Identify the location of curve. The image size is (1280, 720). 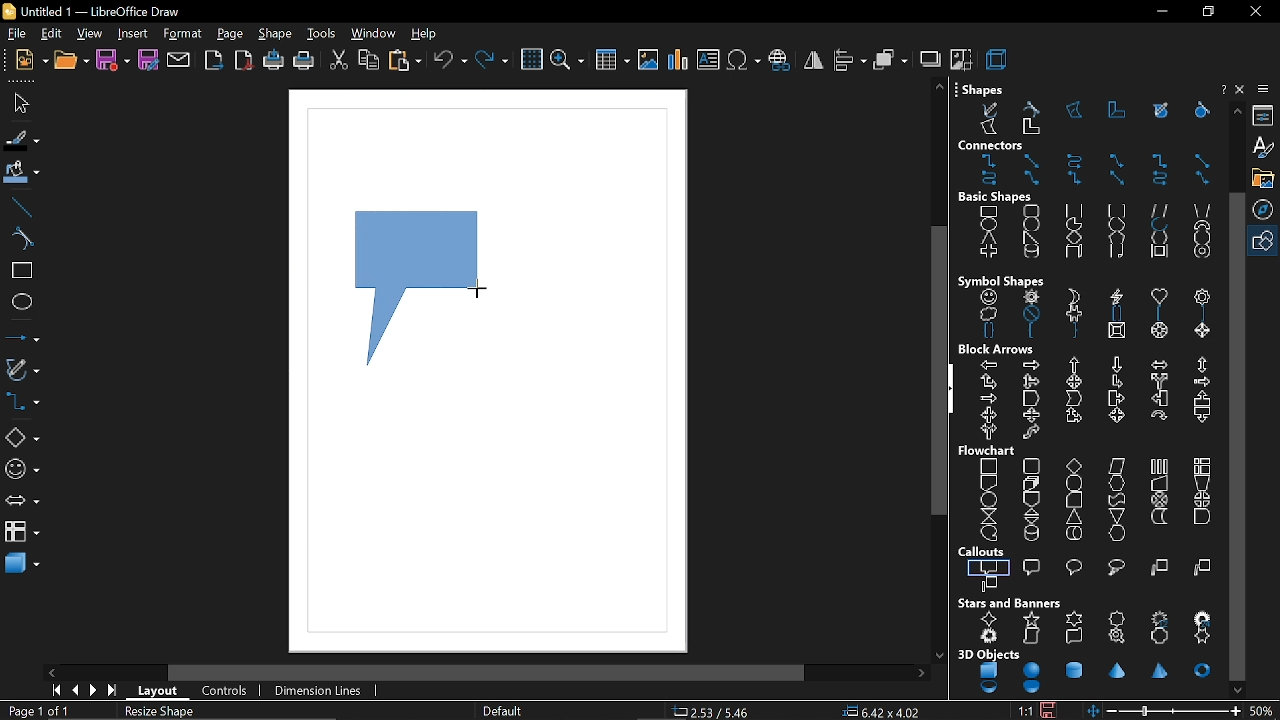
(1035, 108).